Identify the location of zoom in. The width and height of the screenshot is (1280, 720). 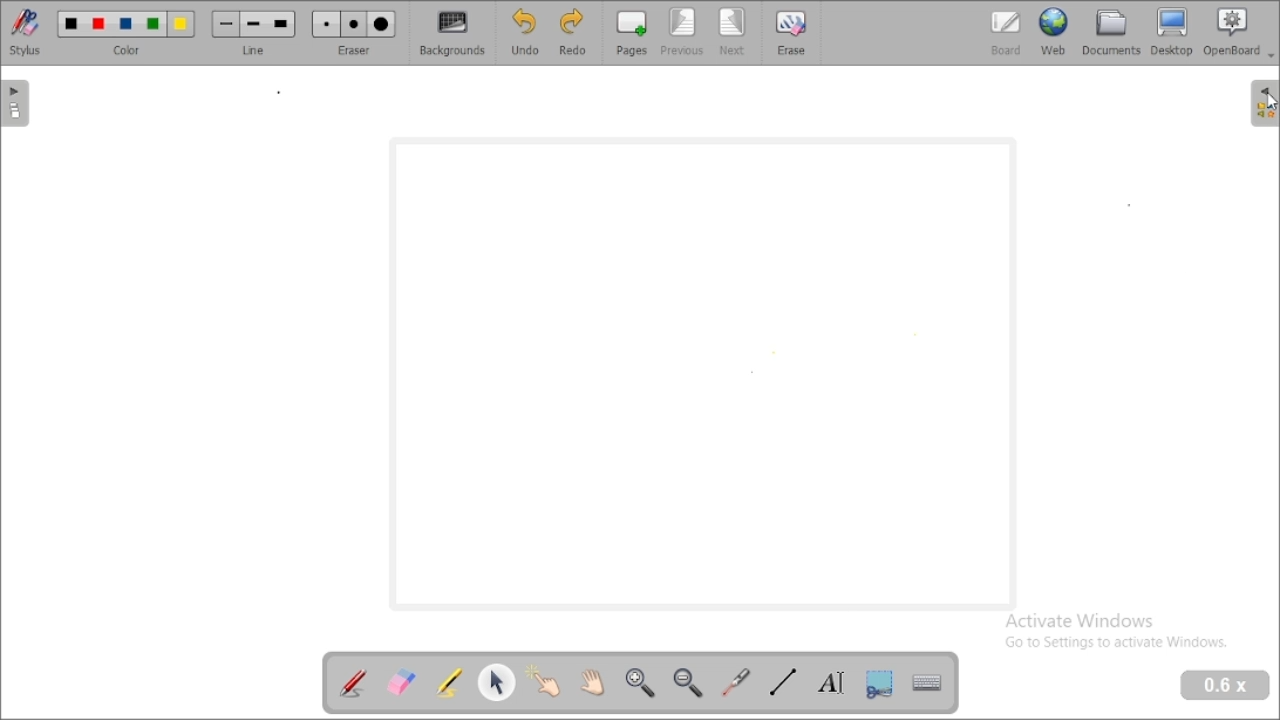
(641, 683).